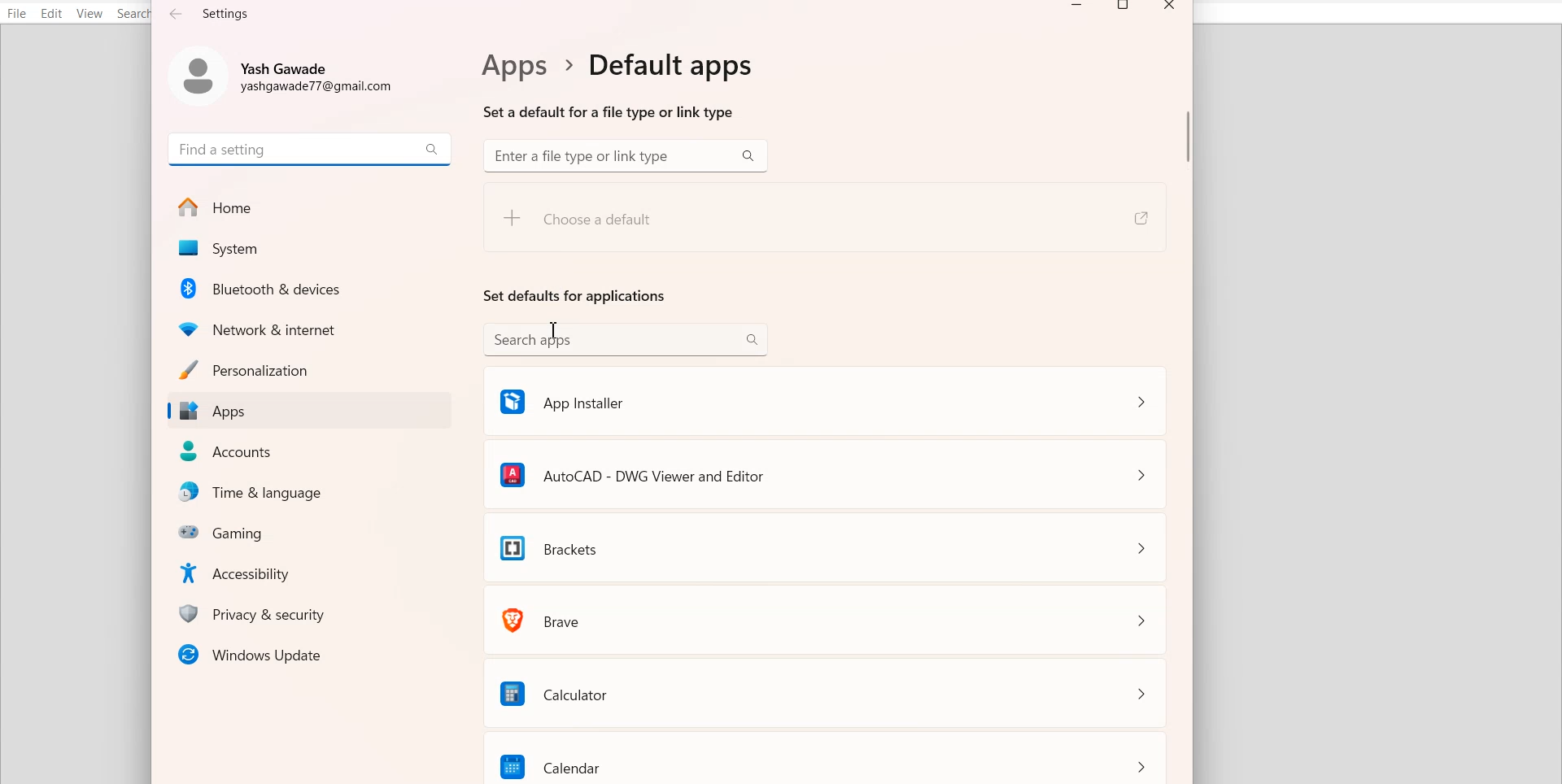 The width and height of the screenshot is (1562, 784). What do you see at coordinates (211, 13) in the screenshot?
I see `Text` at bounding box center [211, 13].